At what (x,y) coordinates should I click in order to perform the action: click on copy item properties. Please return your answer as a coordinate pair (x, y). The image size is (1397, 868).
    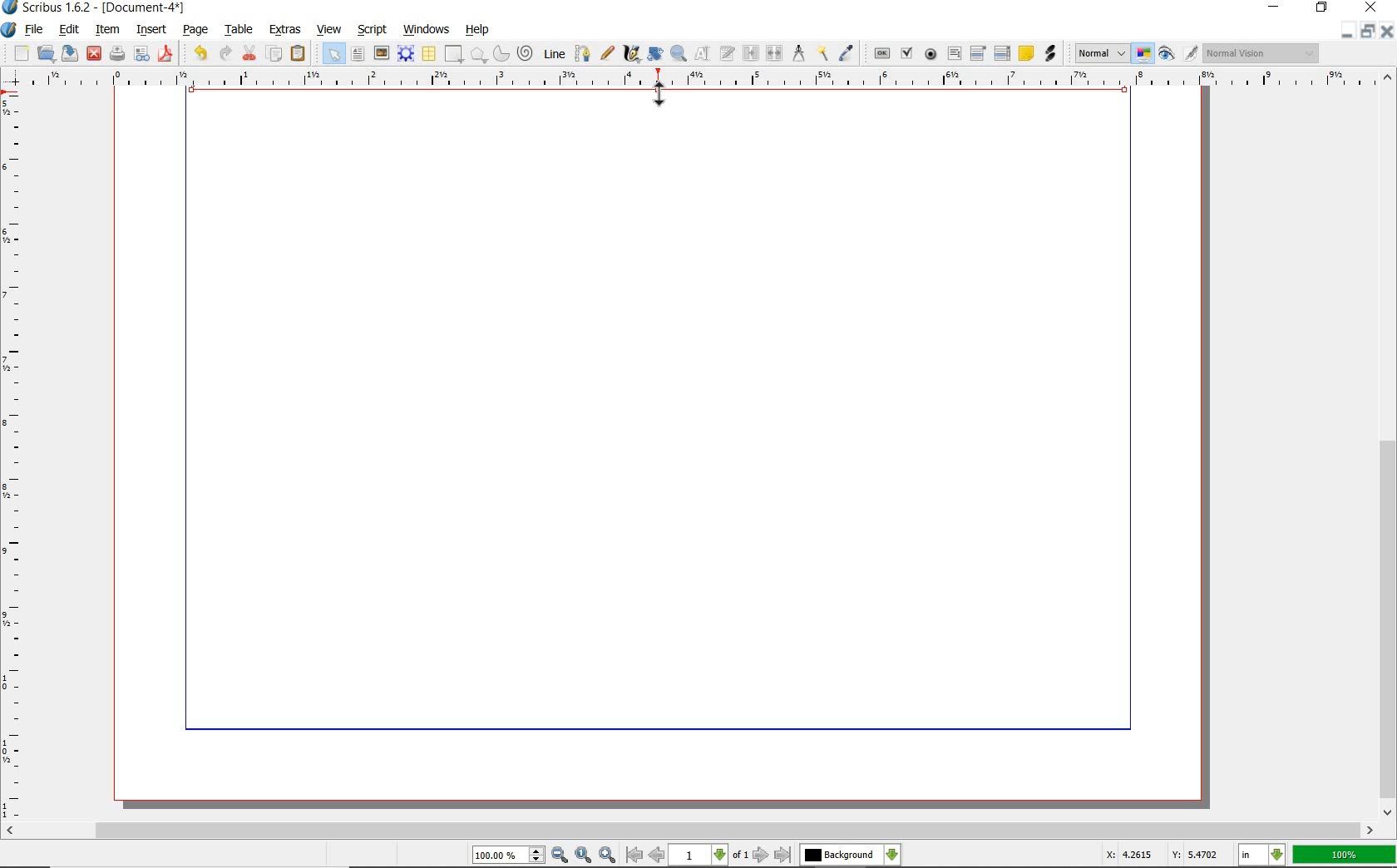
    Looking at the image, I should click on (822, 53).